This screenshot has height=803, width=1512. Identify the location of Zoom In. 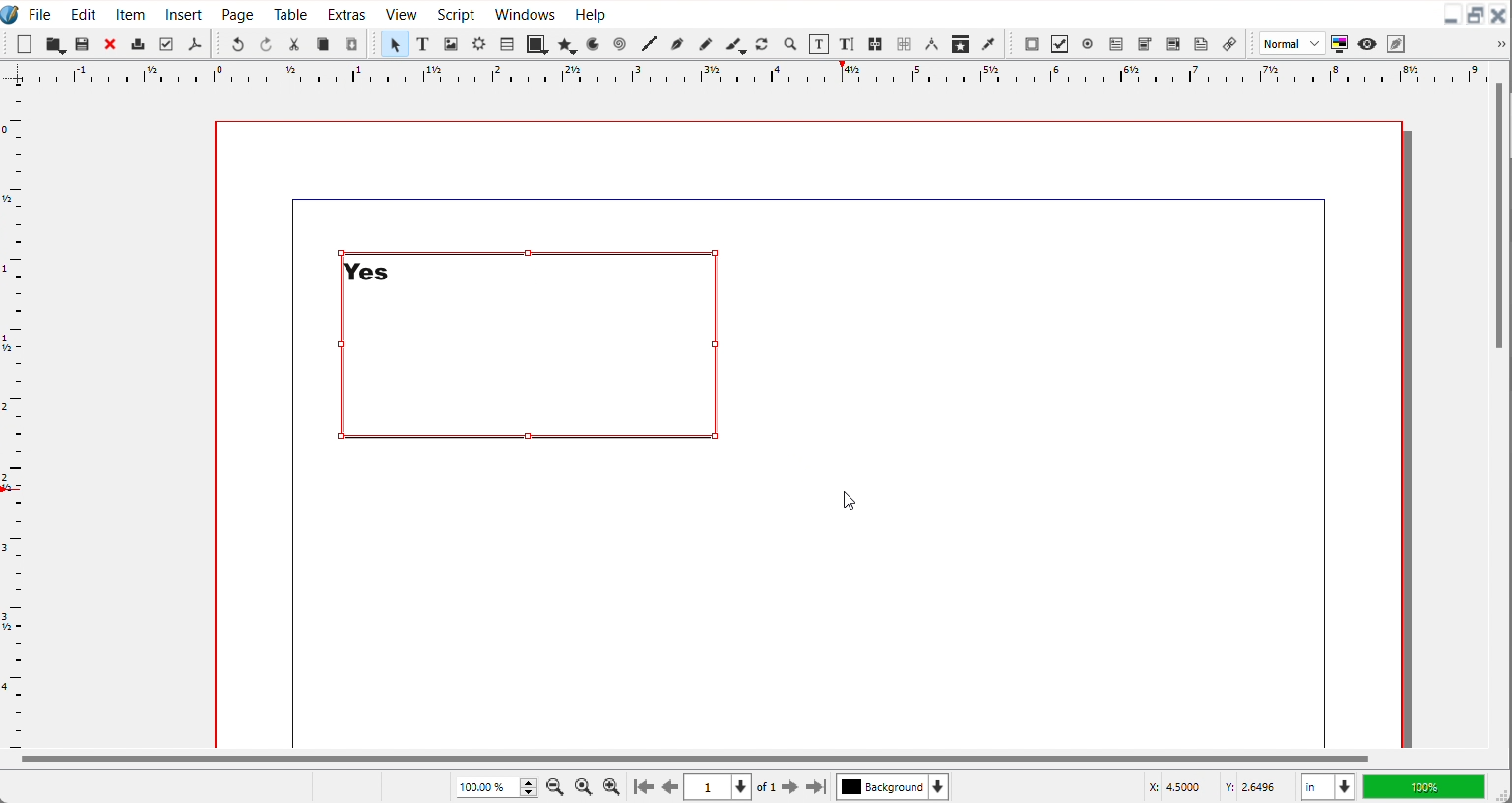
(612, 786).